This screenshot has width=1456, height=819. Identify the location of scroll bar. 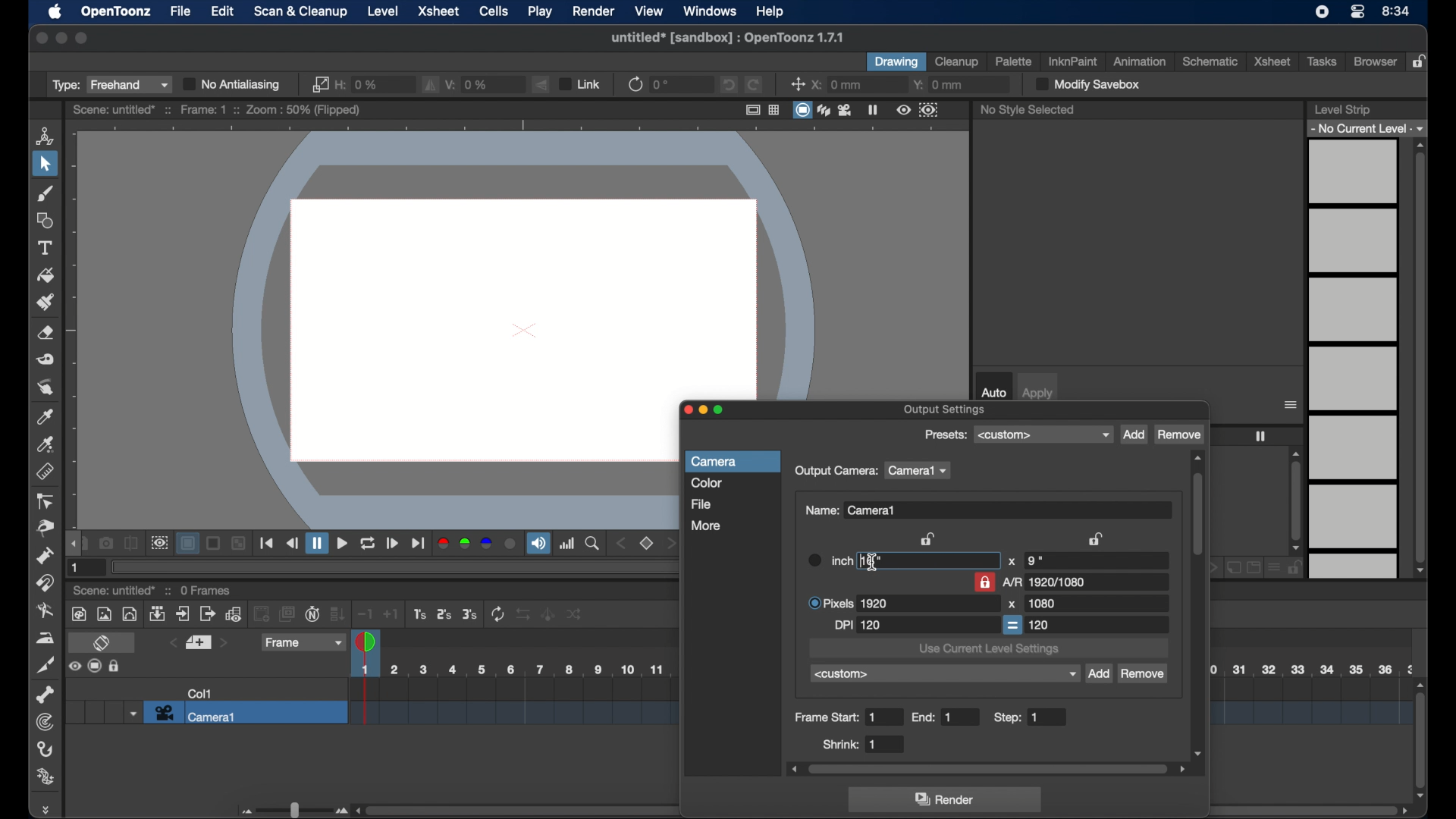
(1313, 810).